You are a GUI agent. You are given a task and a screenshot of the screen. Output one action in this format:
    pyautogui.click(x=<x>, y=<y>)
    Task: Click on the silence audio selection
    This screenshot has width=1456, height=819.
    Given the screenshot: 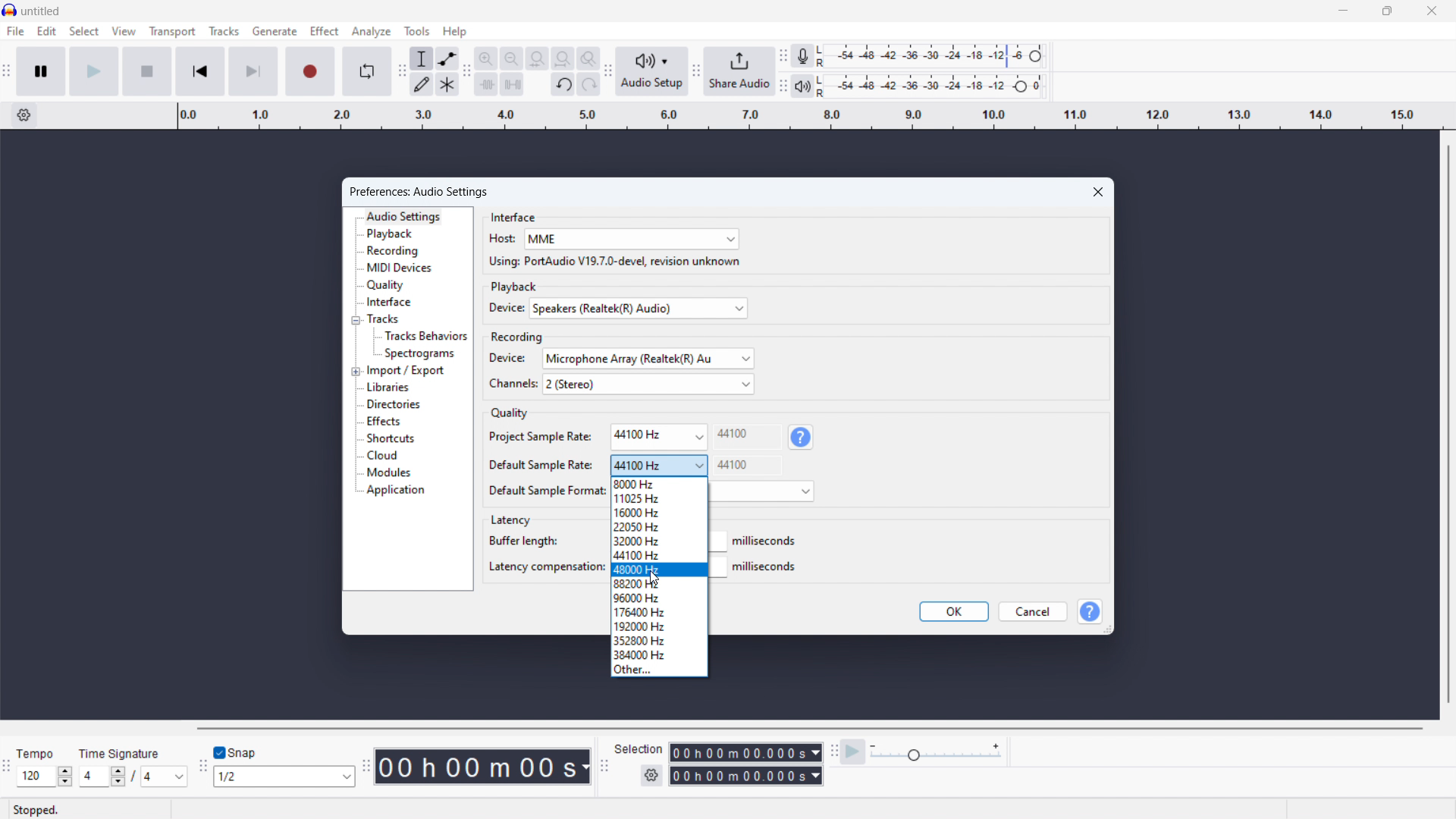 What is the action you would take?
    pyautogui.click(x=513, y=84)
    